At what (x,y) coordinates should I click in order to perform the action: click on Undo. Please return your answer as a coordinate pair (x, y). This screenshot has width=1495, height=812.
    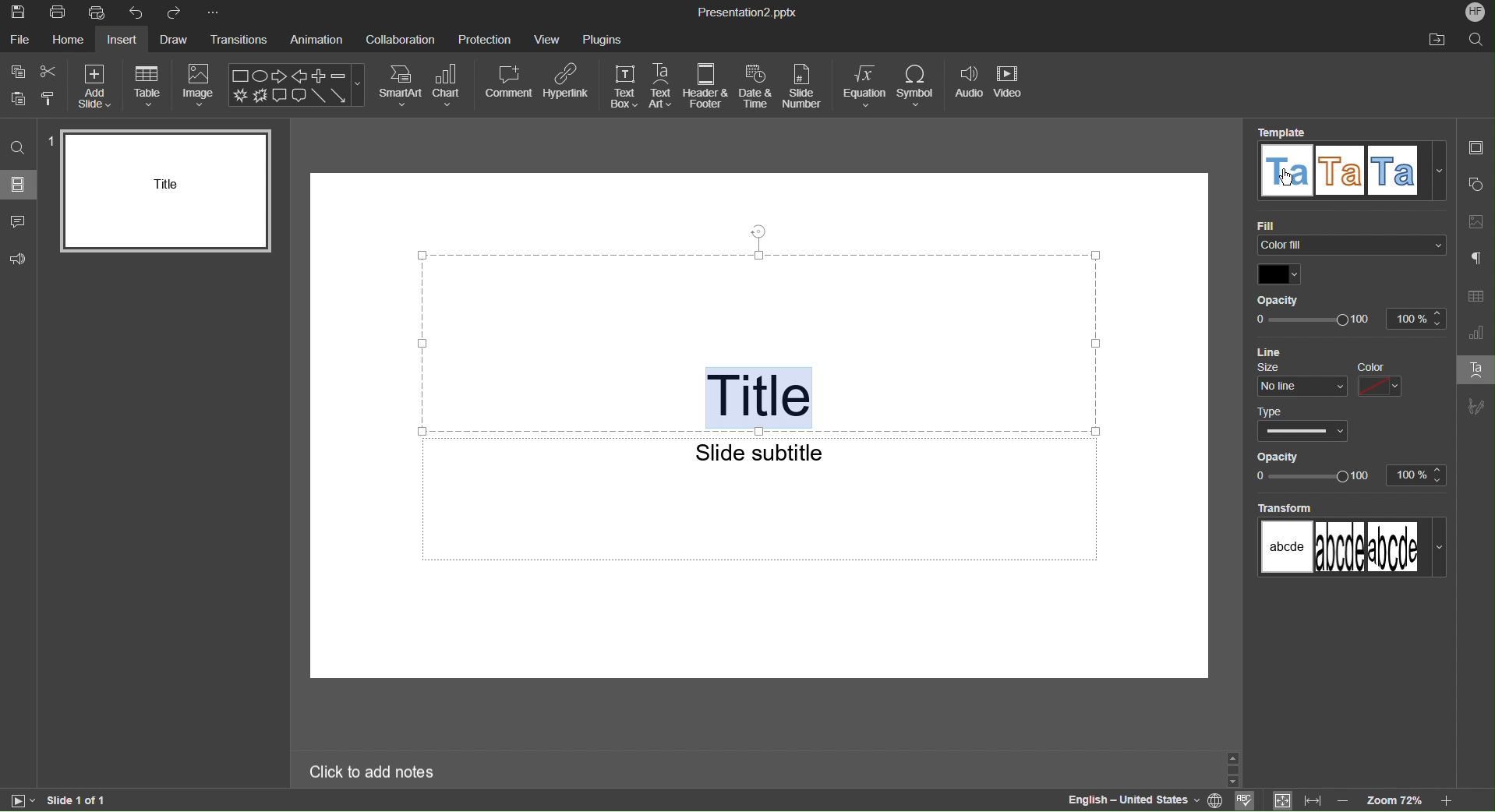
    Looking at the image, I should click on (136, 12).